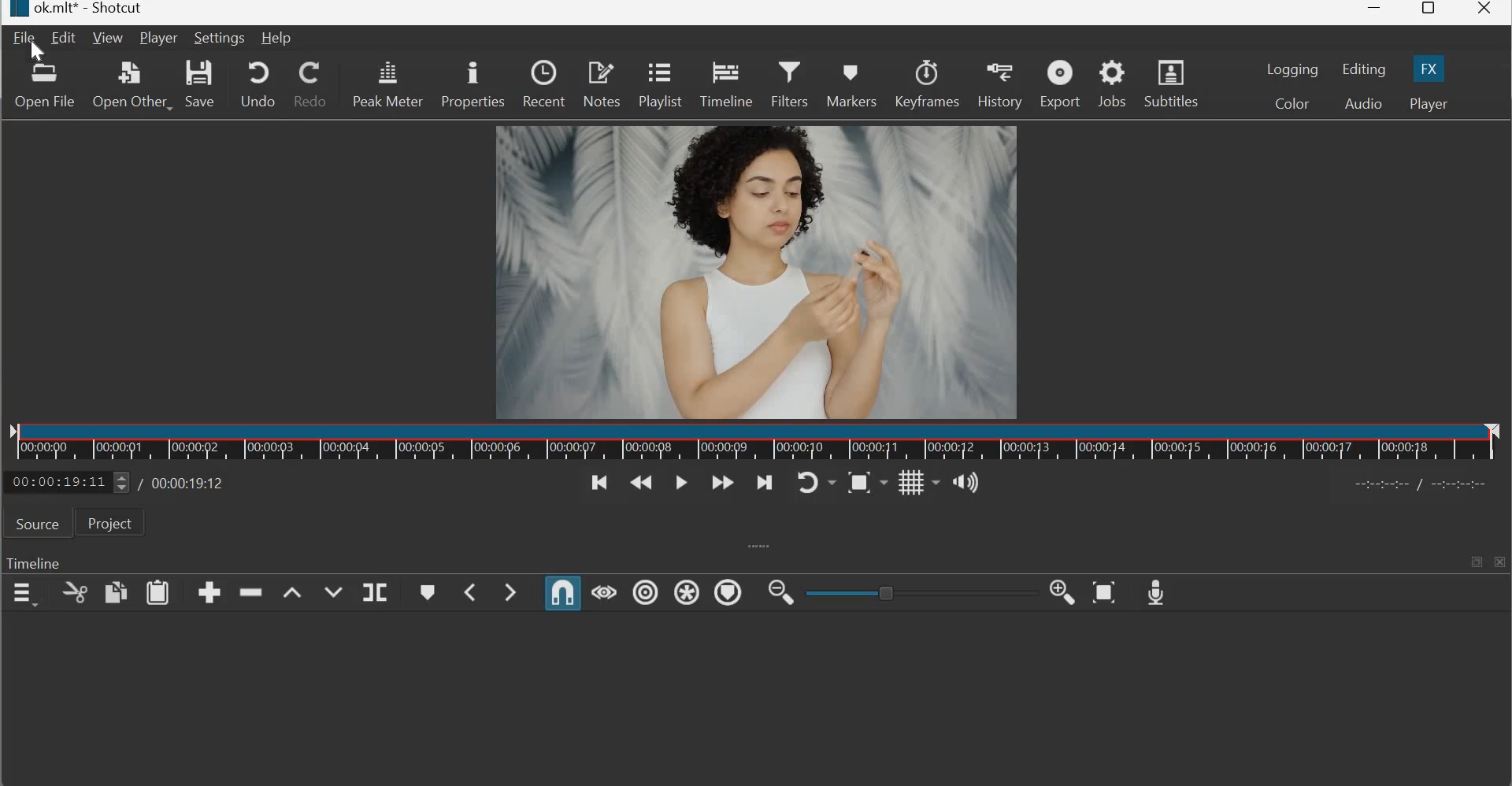 This screenshot has height=786, width=1512. What do you see at coordinates (33, 565) in the screenshot?
I see `Timeline` at bounding box center [33, 565].